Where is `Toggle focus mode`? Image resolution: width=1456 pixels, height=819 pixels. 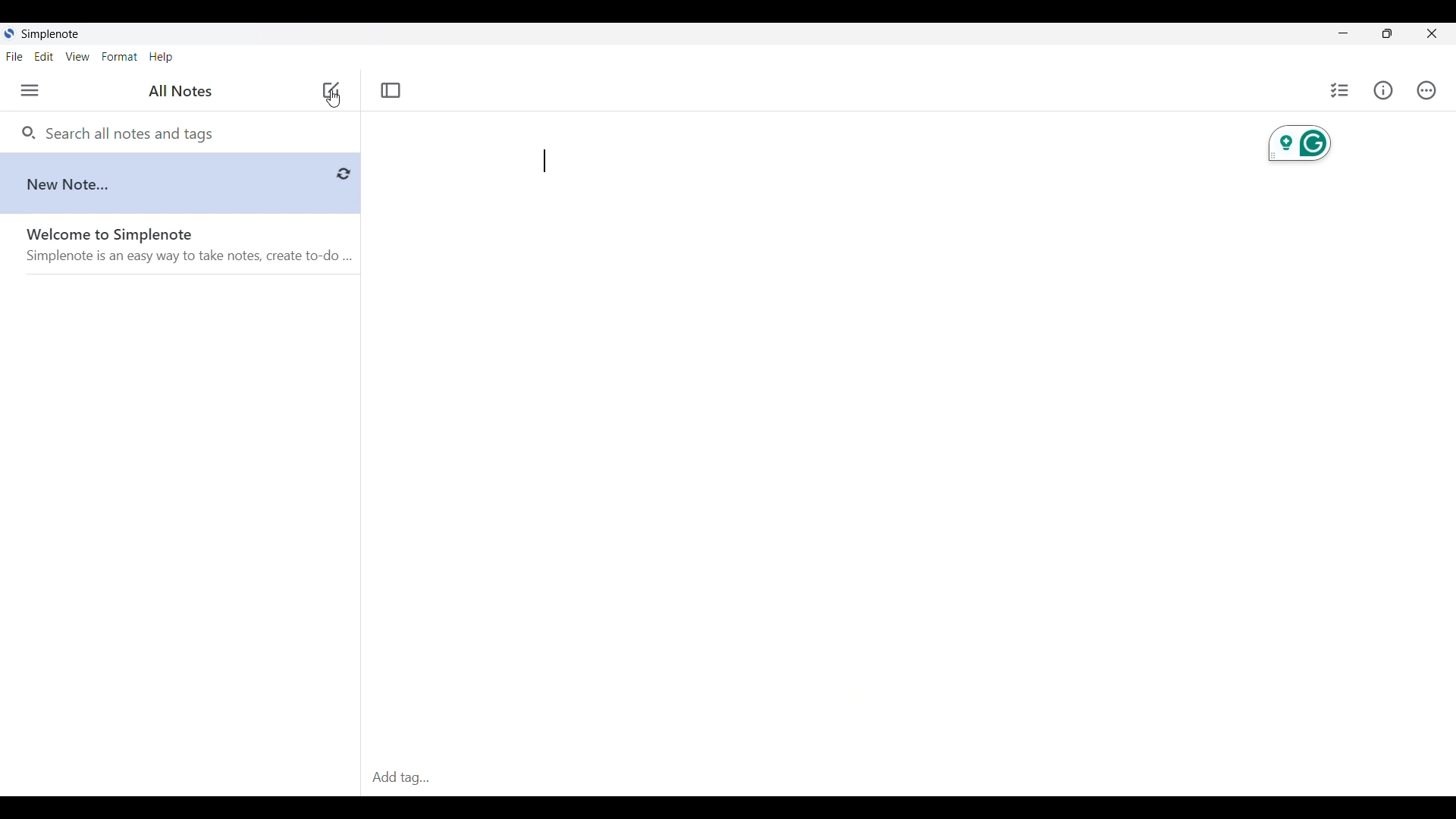 Toggle focus mode is located at coordinates (391, 89).